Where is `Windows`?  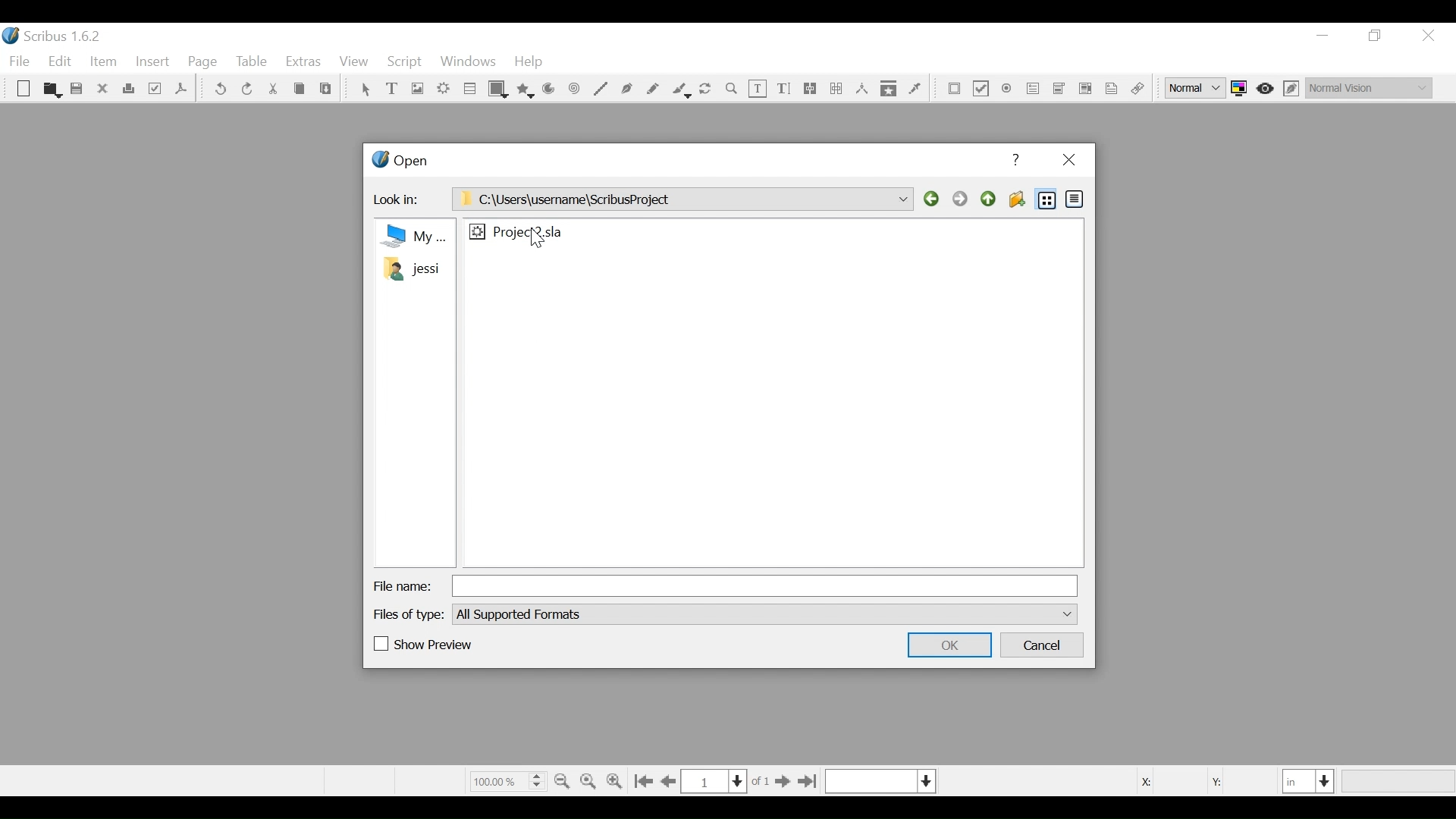
Windows is located at coordinates (468, 63).